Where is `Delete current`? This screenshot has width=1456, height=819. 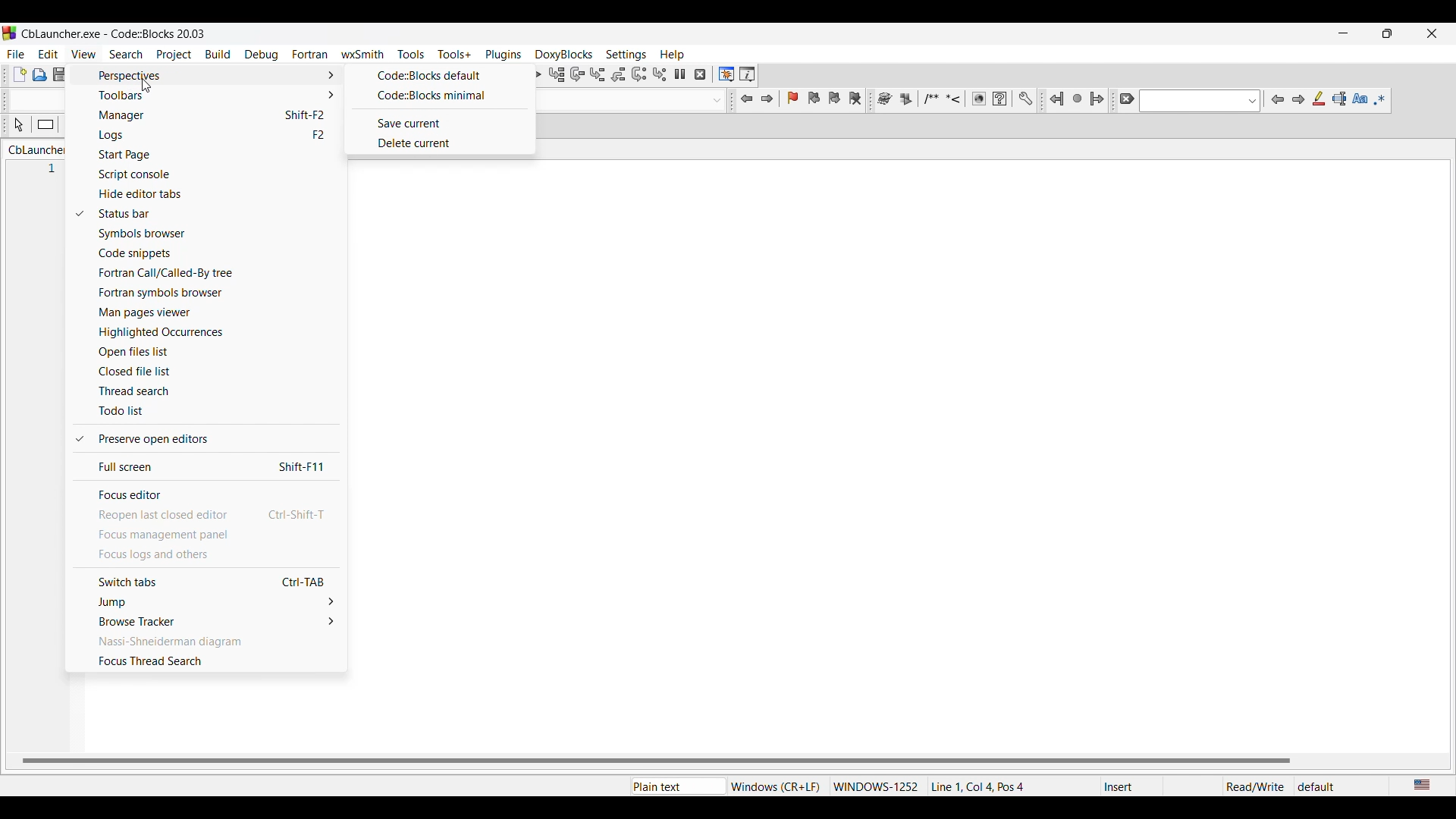 Delete current is located at coordinates (444, 143).